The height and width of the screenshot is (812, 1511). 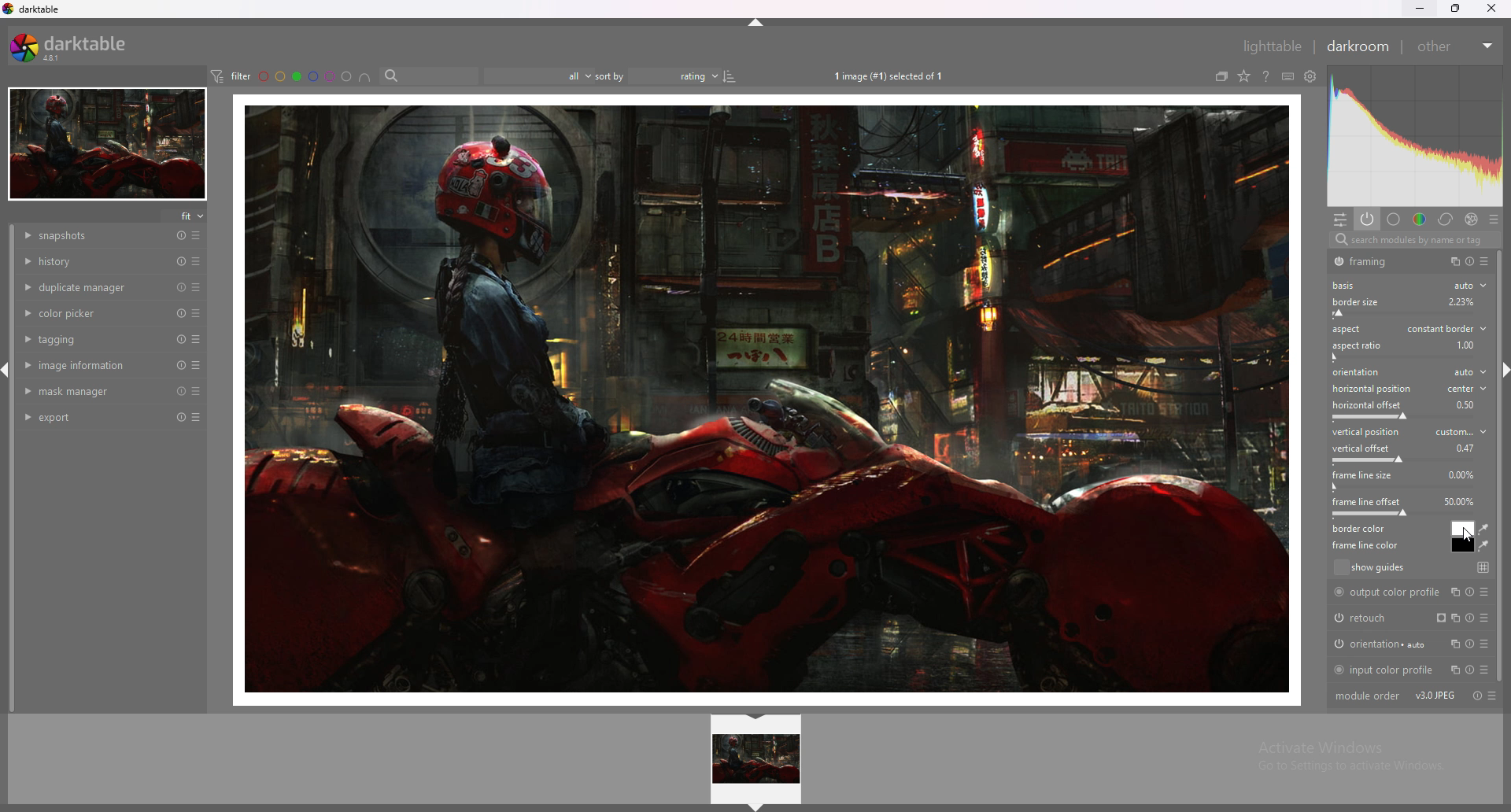 What do you see at coordinates (1402, 488) in the screenshot?
I see `frame line size bar` at bounding box center [1402, 488].